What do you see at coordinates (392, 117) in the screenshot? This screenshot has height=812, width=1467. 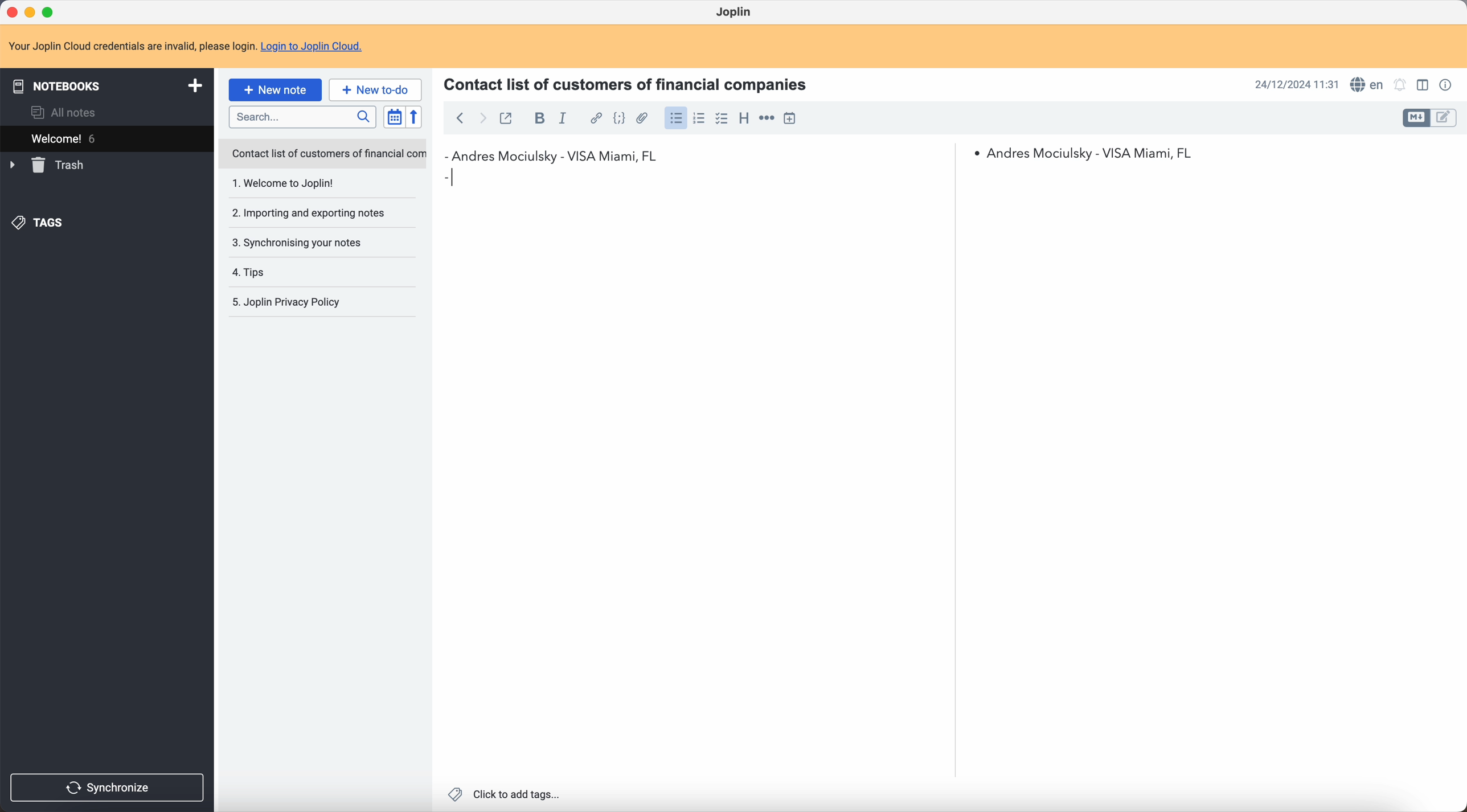 I see `toggle sort order field` at bounding box center [392, 117].